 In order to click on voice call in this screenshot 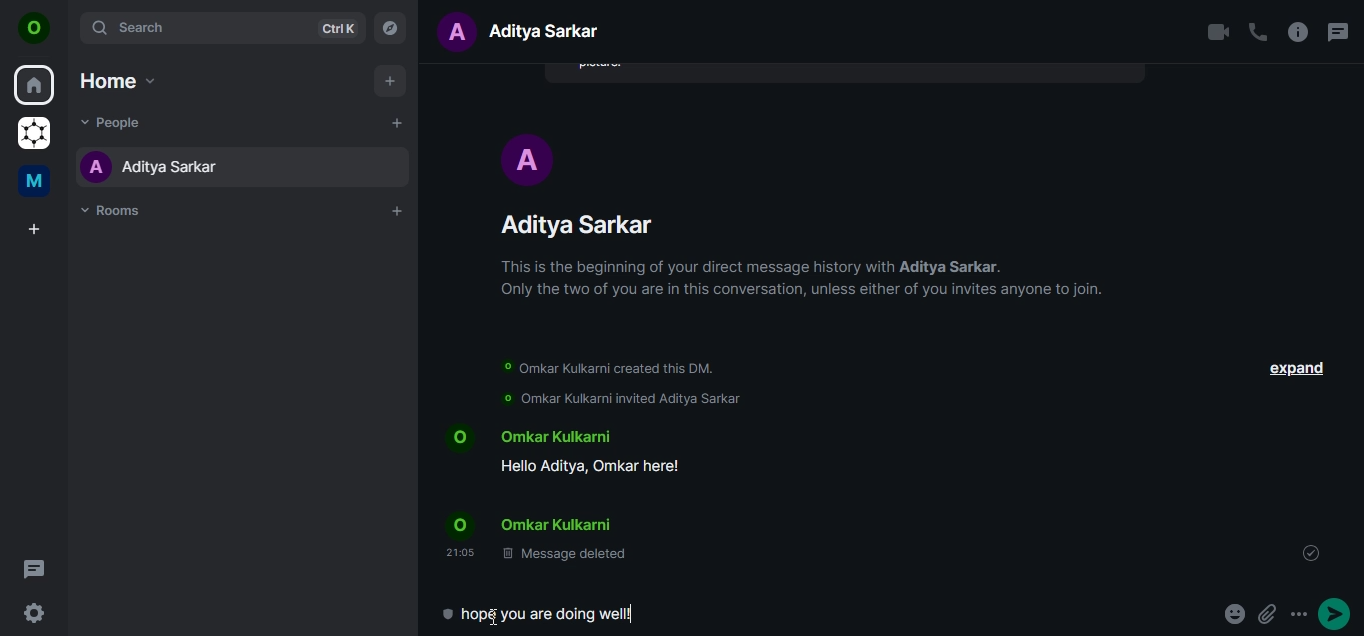, I will do `click(1257, 31)`.